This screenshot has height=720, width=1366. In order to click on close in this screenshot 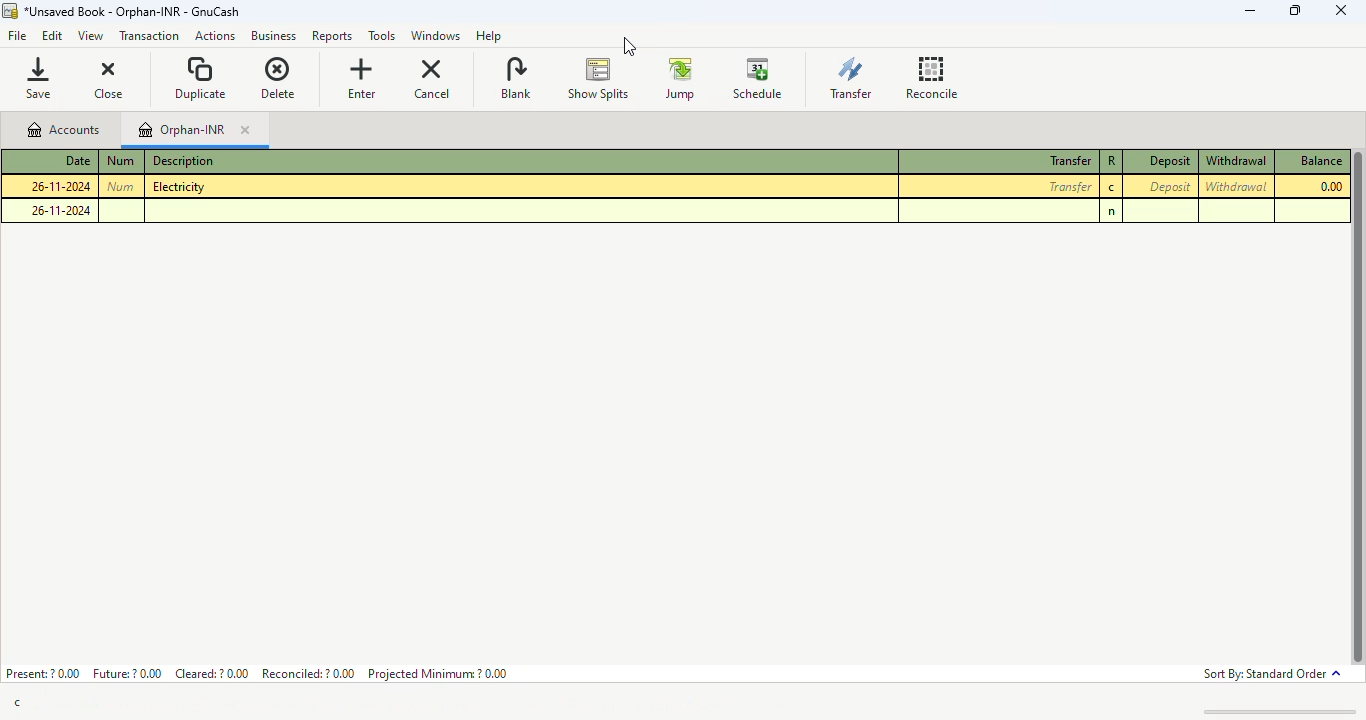, I will do `click(1340, 10)`.